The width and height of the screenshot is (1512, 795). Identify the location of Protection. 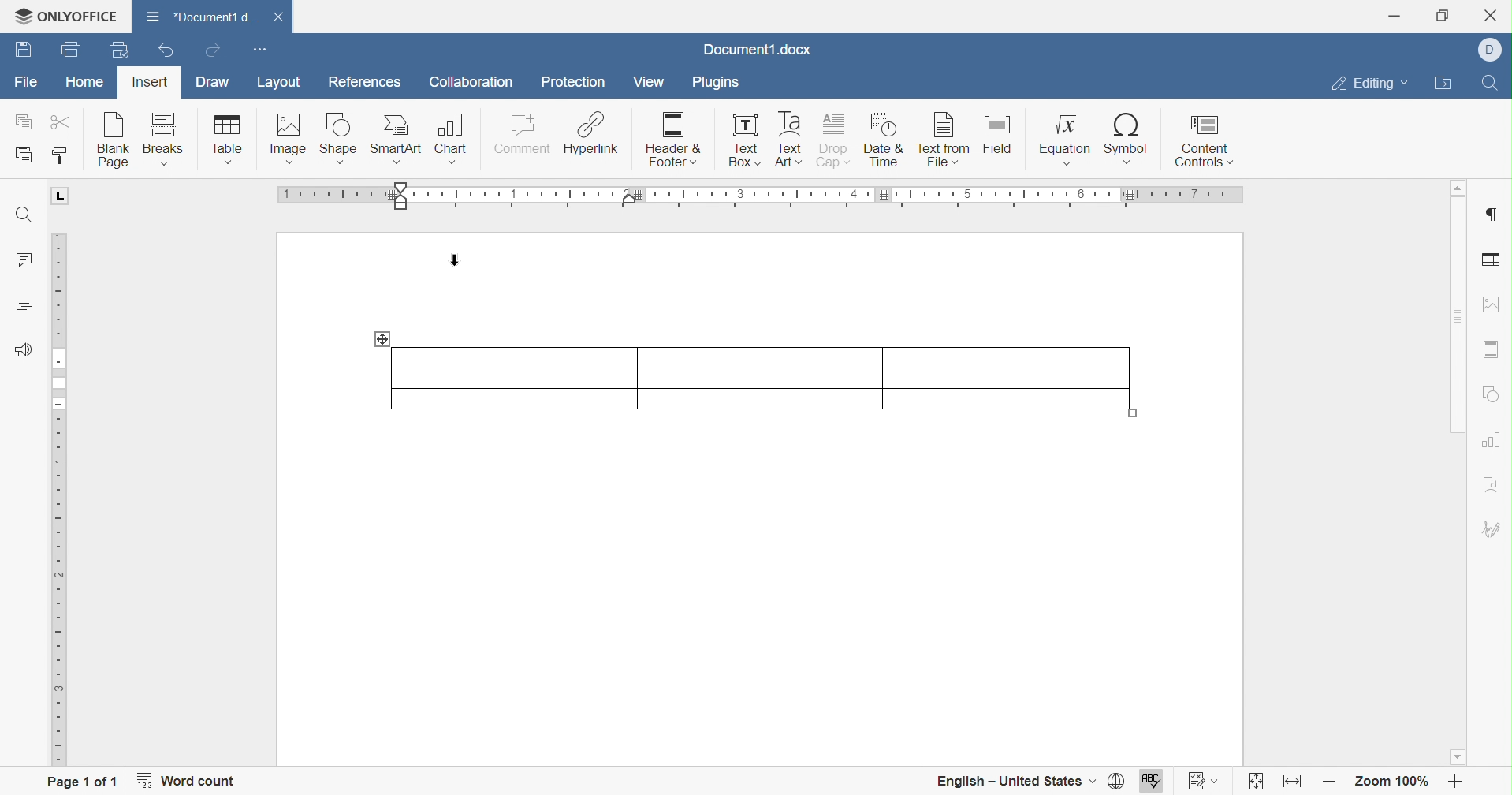
(572, 80).